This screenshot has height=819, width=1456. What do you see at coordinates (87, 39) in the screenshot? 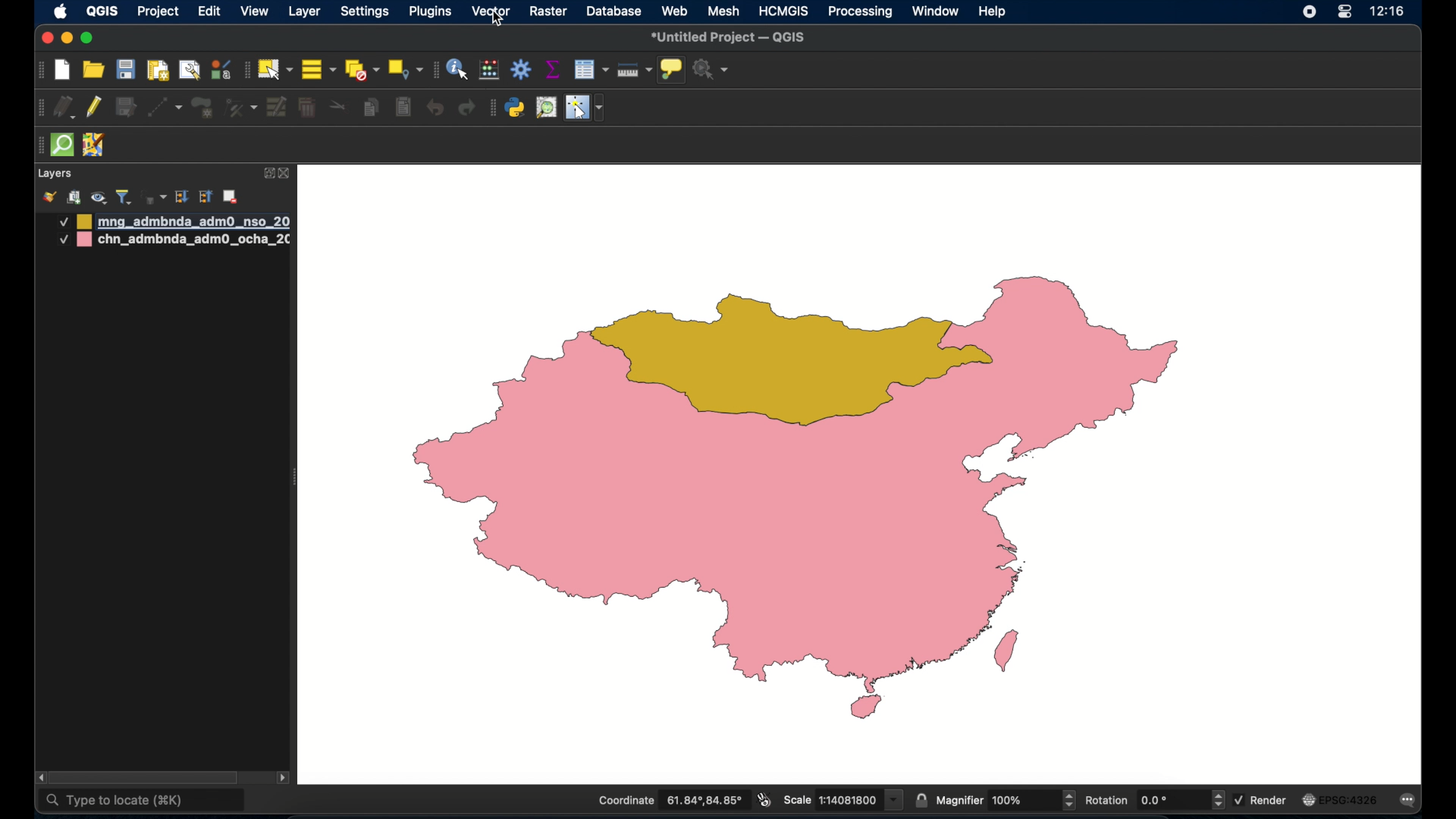
I see `maximize` at bounding box center [87, 39].